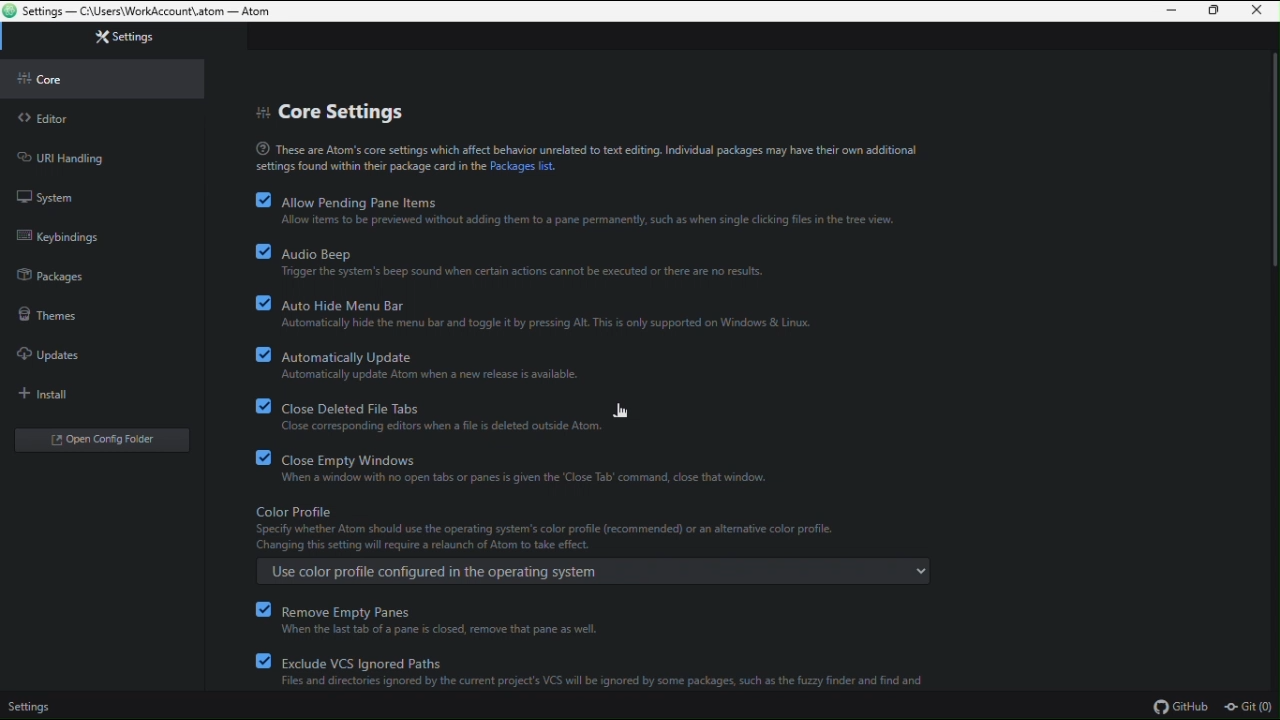 The image size is (1280, 720). Describe the element at coordinates (72, 238) in the screenshot. I see `keybindings` at that location.